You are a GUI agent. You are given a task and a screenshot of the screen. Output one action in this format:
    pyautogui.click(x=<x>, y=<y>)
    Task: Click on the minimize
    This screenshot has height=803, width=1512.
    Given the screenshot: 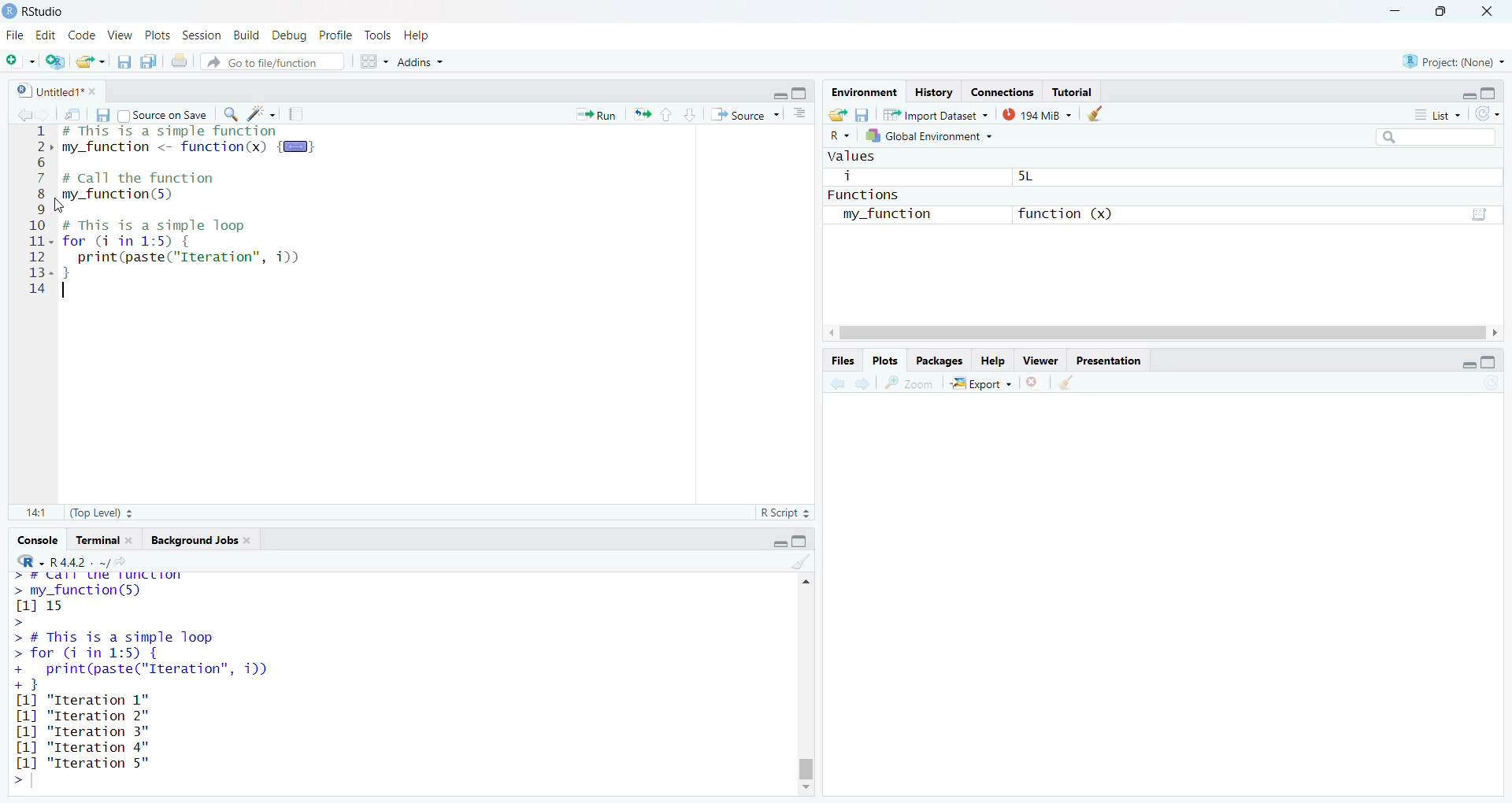 What is the action you would take?
    pyautogui.click(x=1462, y=364)
    